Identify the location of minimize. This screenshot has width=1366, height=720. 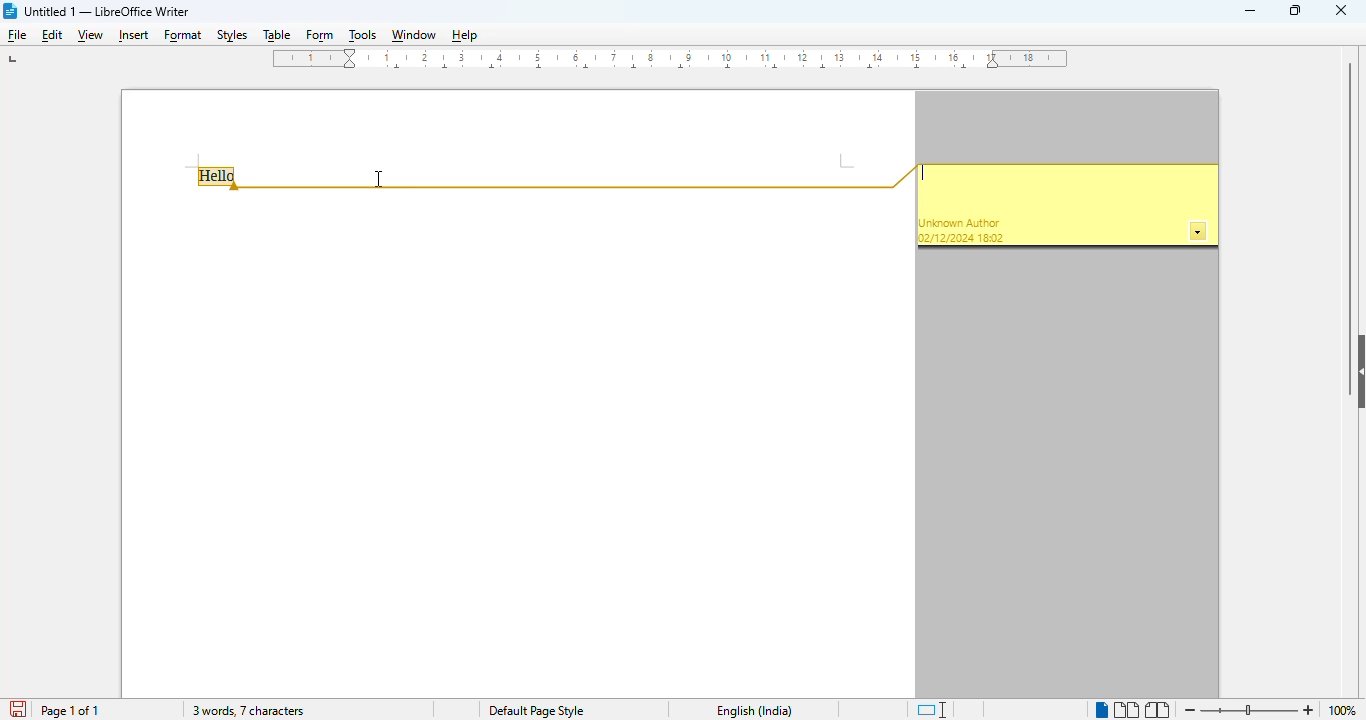
(1251, 11).